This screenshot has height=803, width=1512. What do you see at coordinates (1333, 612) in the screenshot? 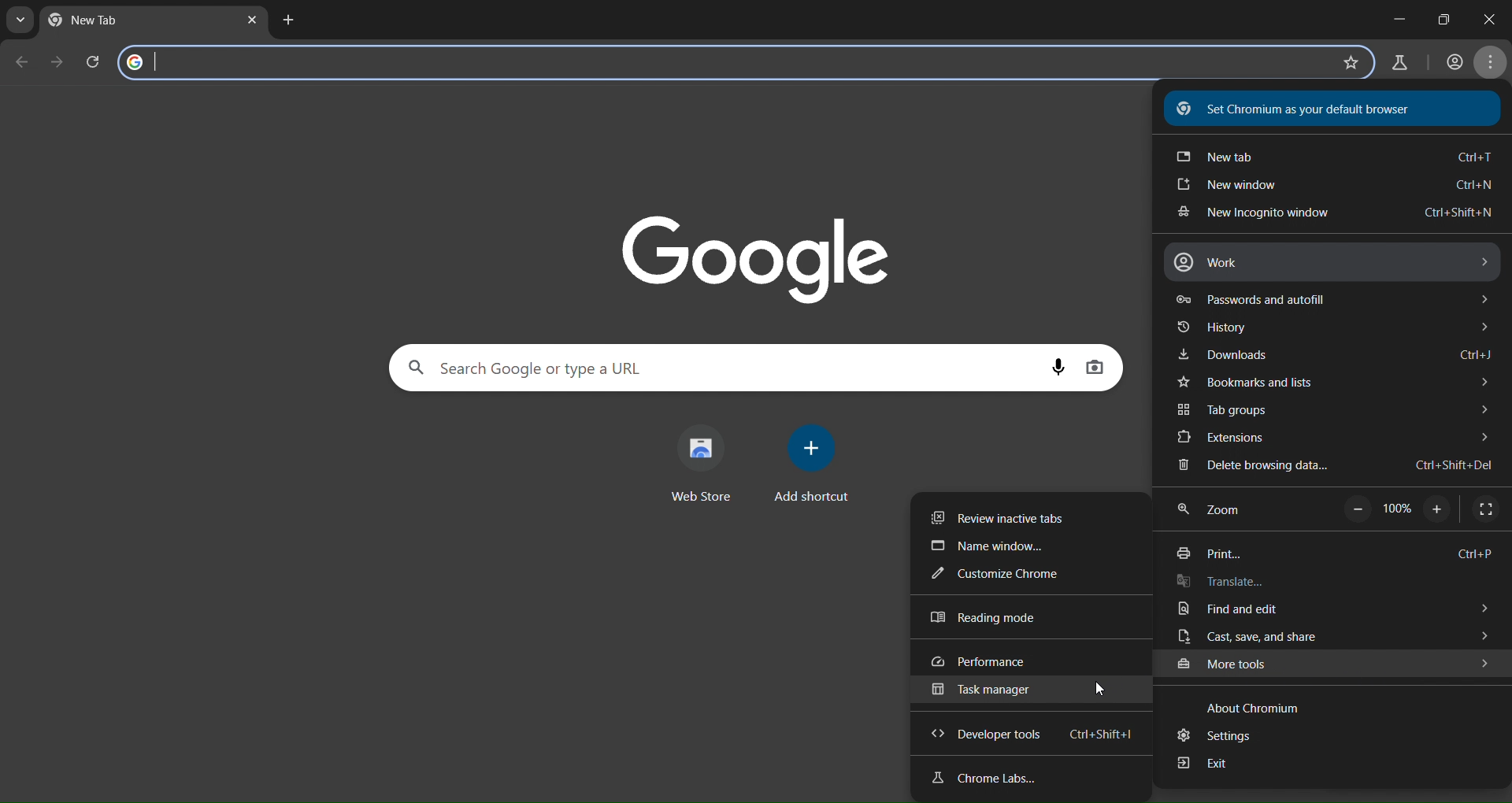
I see `find and edit` at bounding box center [1333, 612].